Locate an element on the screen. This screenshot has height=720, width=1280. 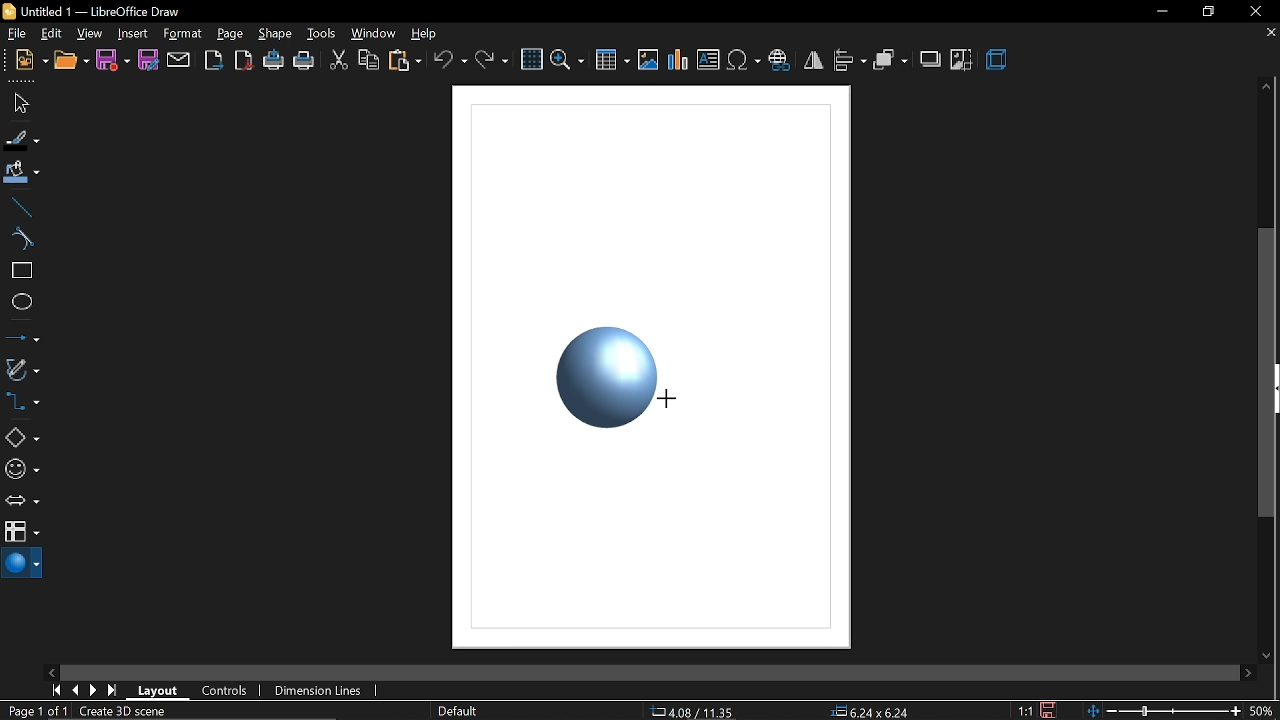
minimize is located at coordinates (1159, 12).